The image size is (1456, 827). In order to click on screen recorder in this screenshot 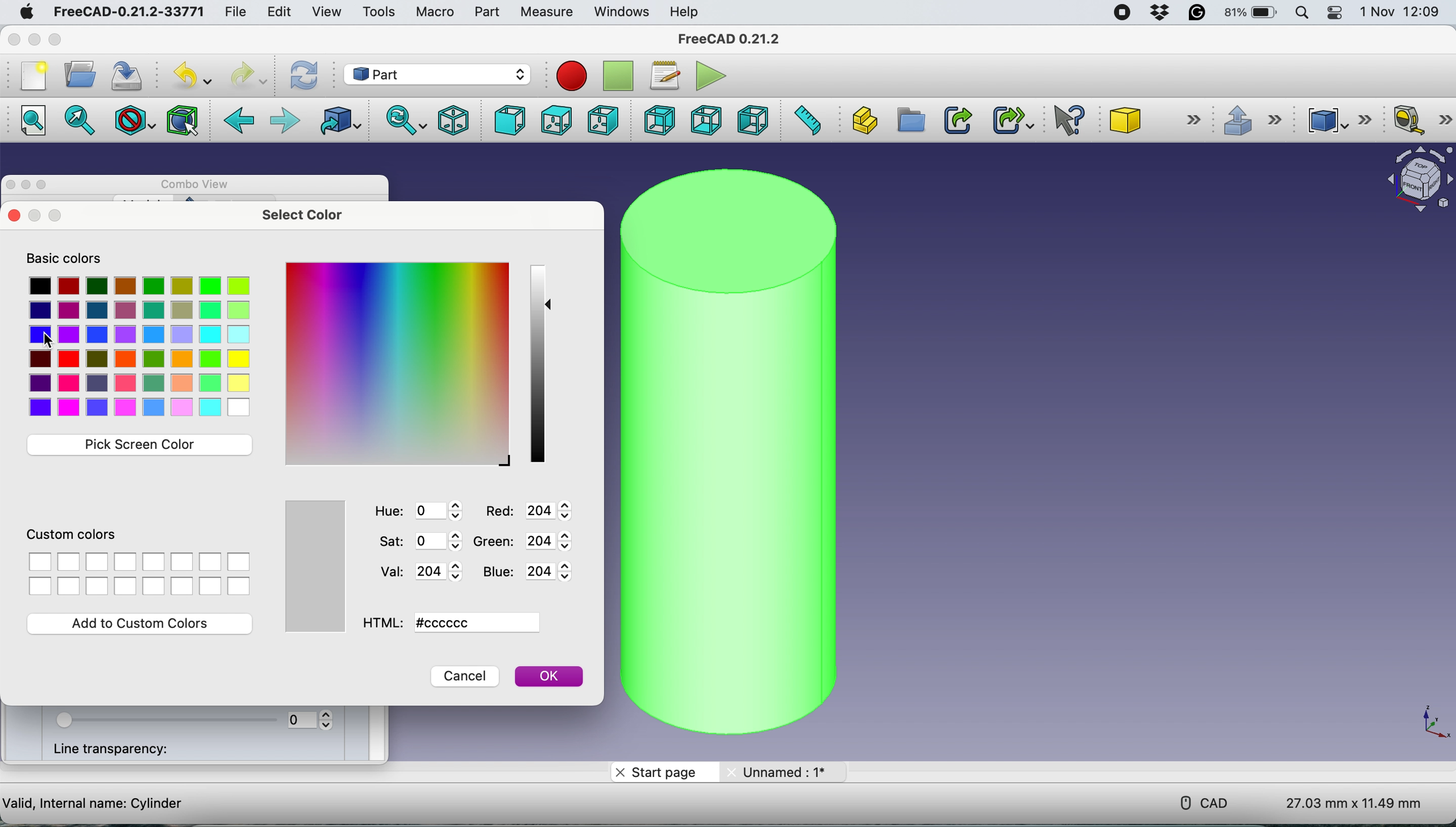, I will do `click(1122, 14)`.